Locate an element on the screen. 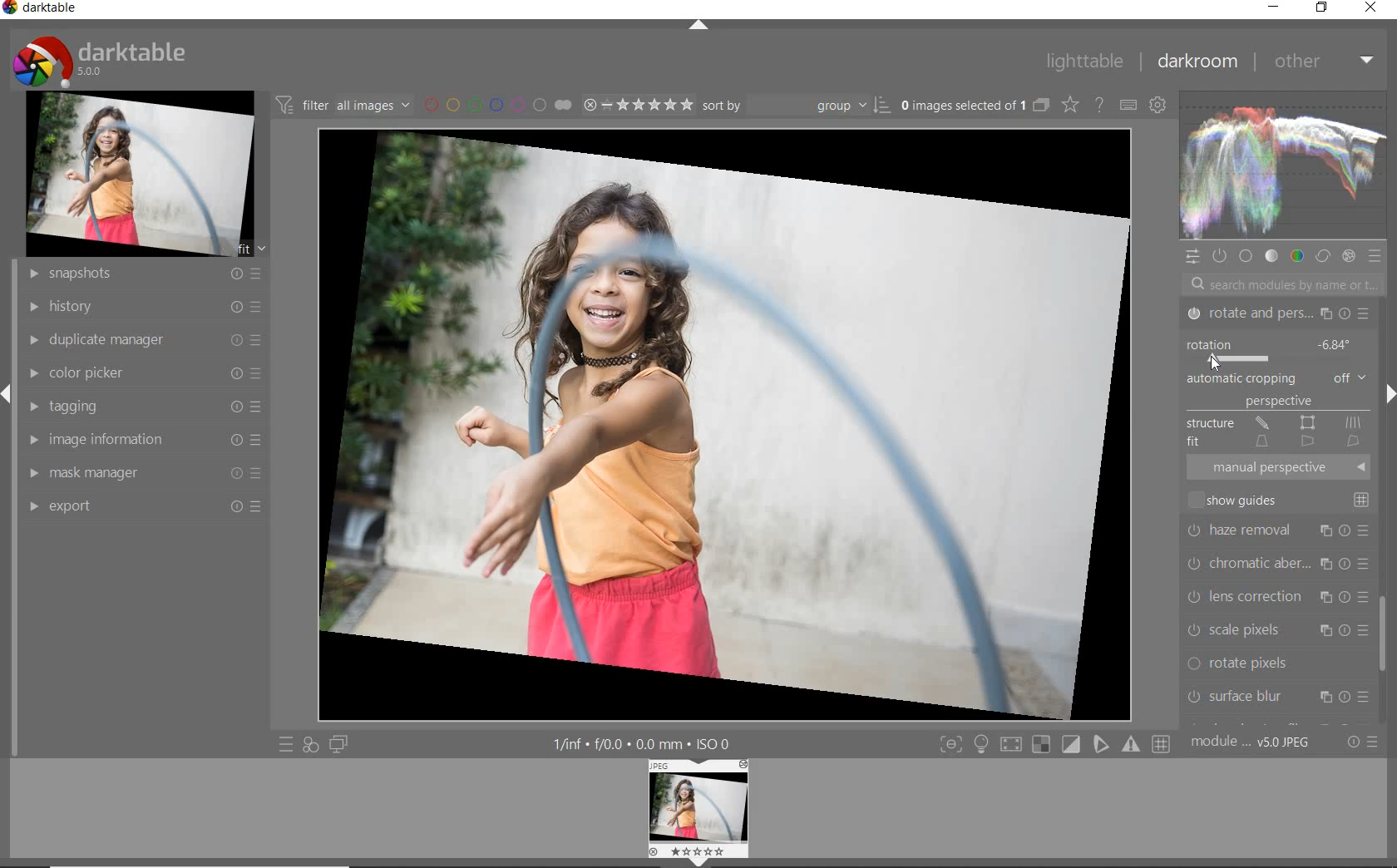  module order is located at coordinates (1251, 743).